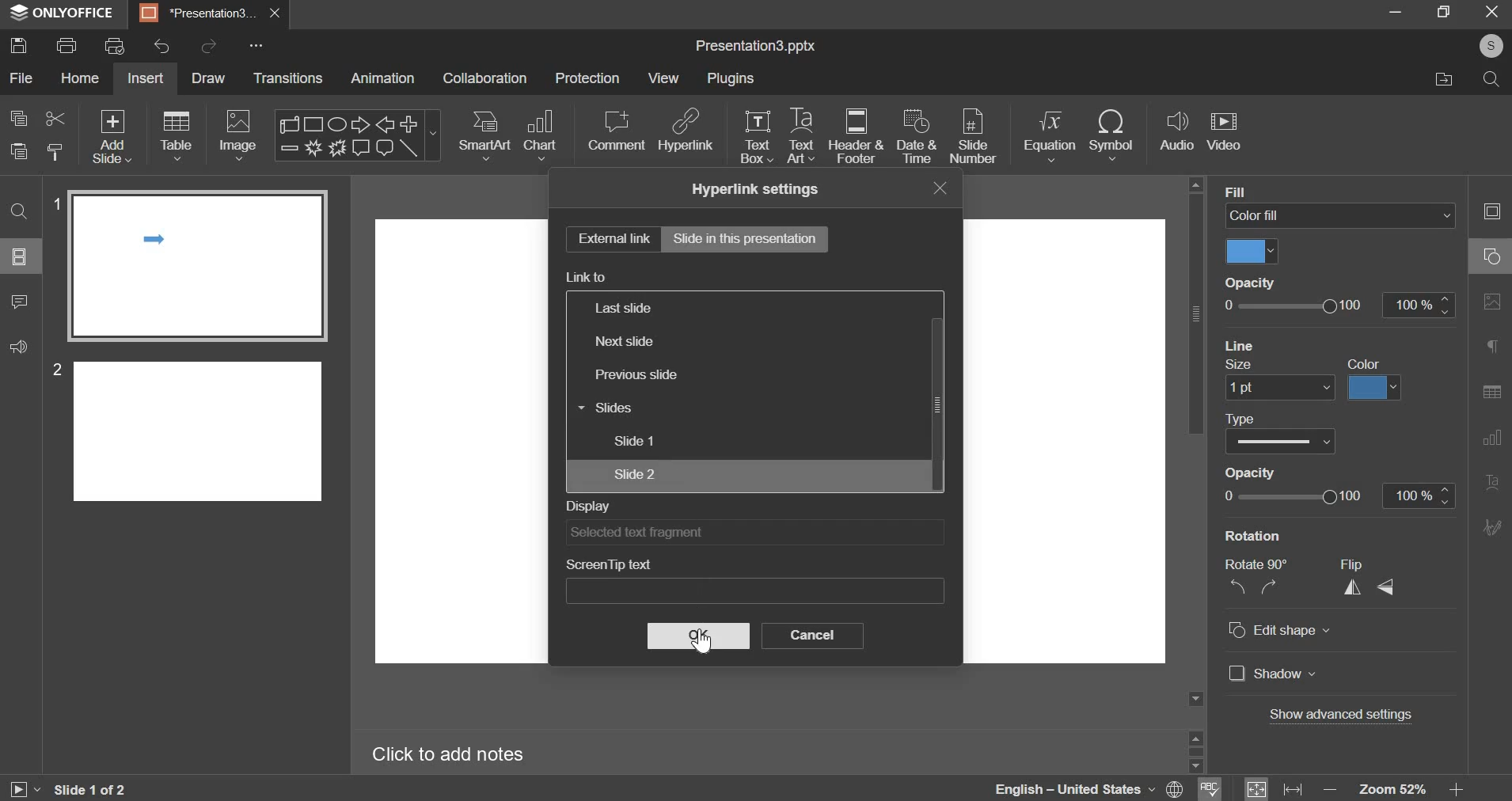  I want to click on Signature settings, so click(1492, 526).